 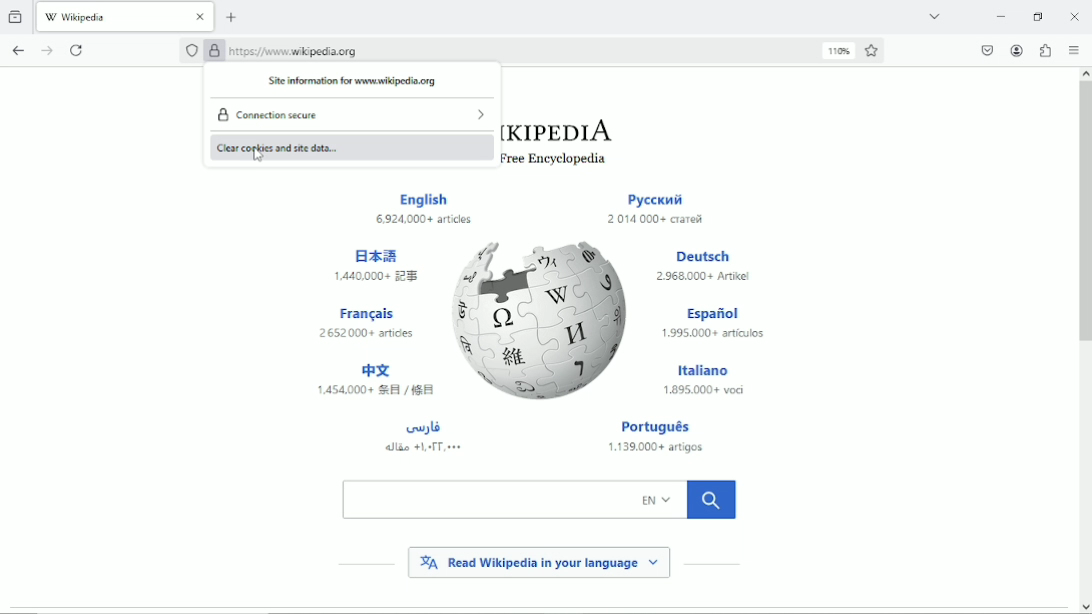 What do you see at coordinates (126, 15) in the screenshot?
I see `Current tab` at bounding box center [126, 15].